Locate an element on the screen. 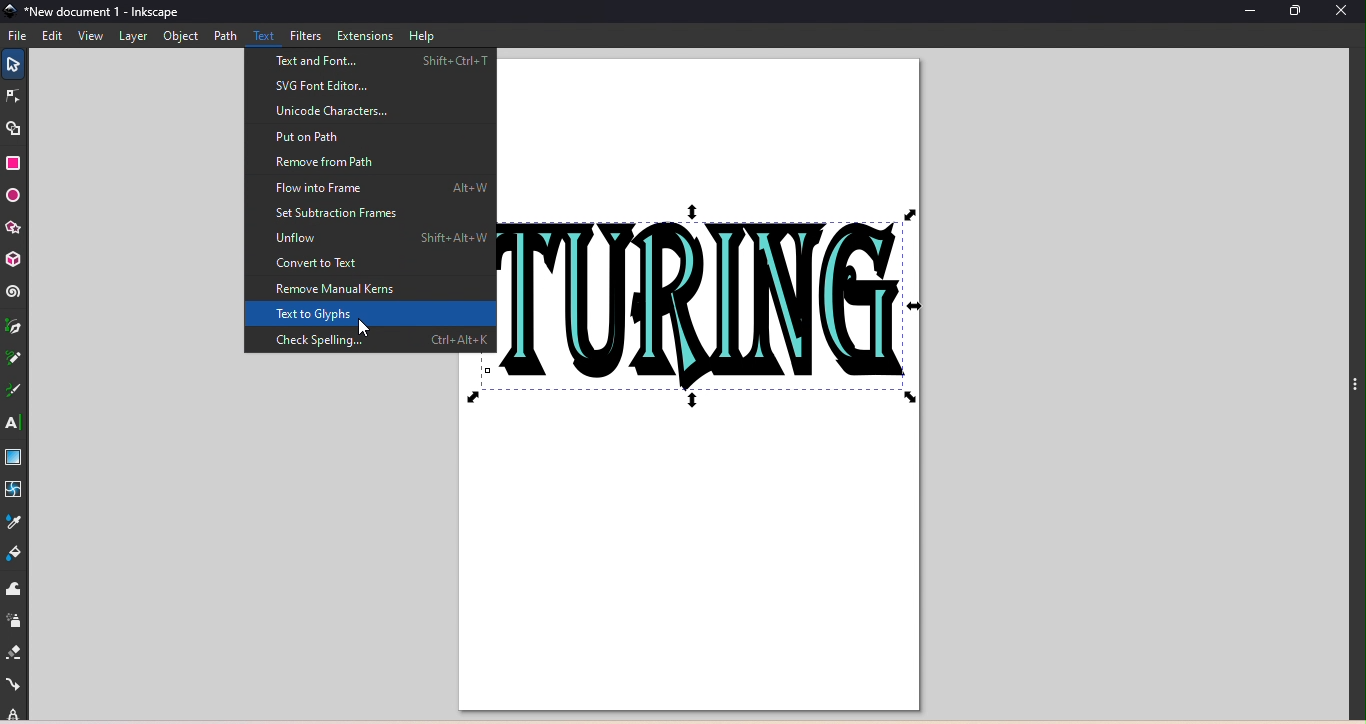 This screenshot has width=1366, height=724. Remove manual kerns is located at coordinates (369, 291).